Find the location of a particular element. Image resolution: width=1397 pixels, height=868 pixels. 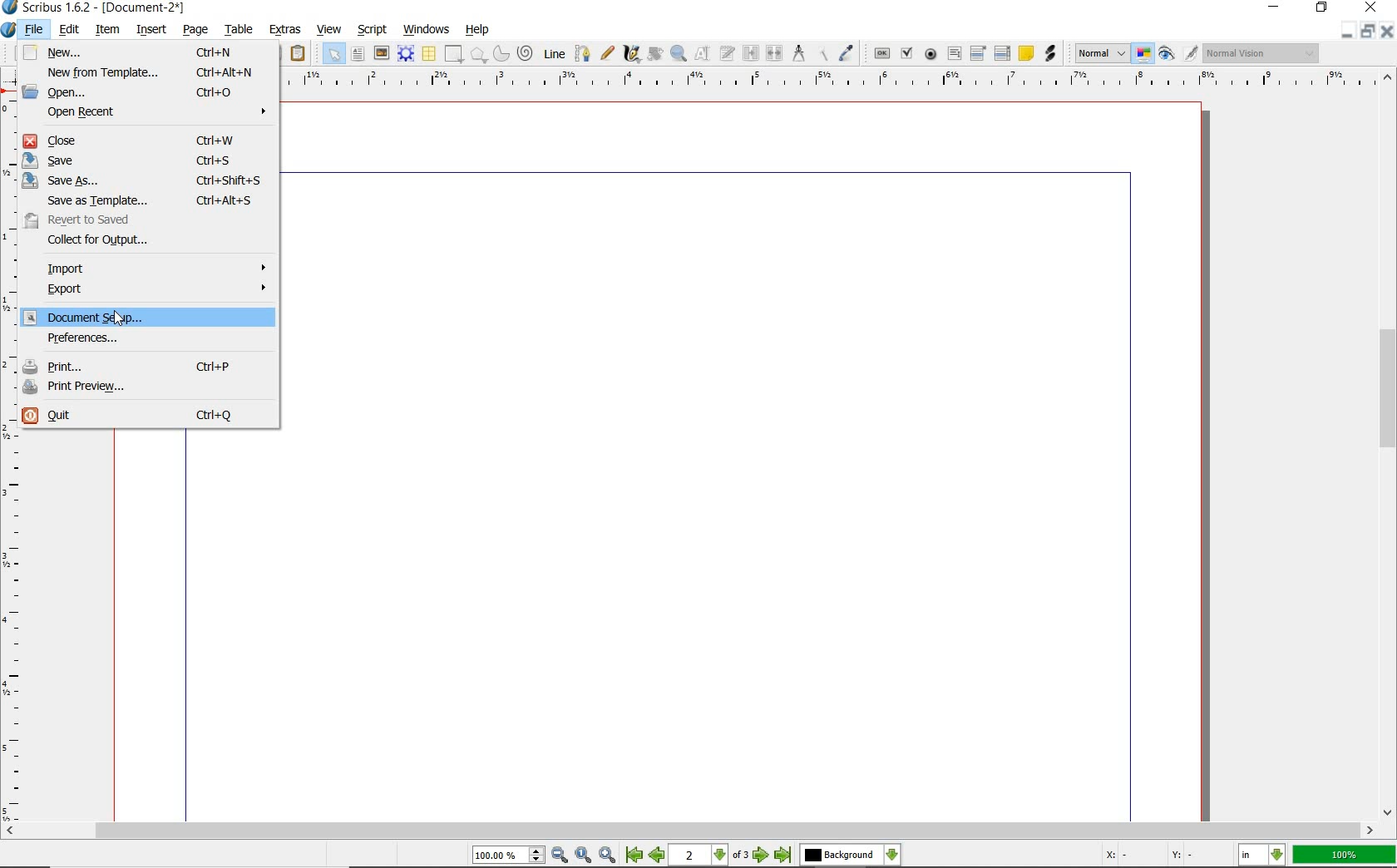

zoom factor 100% is located at coordinates (1345, 856).